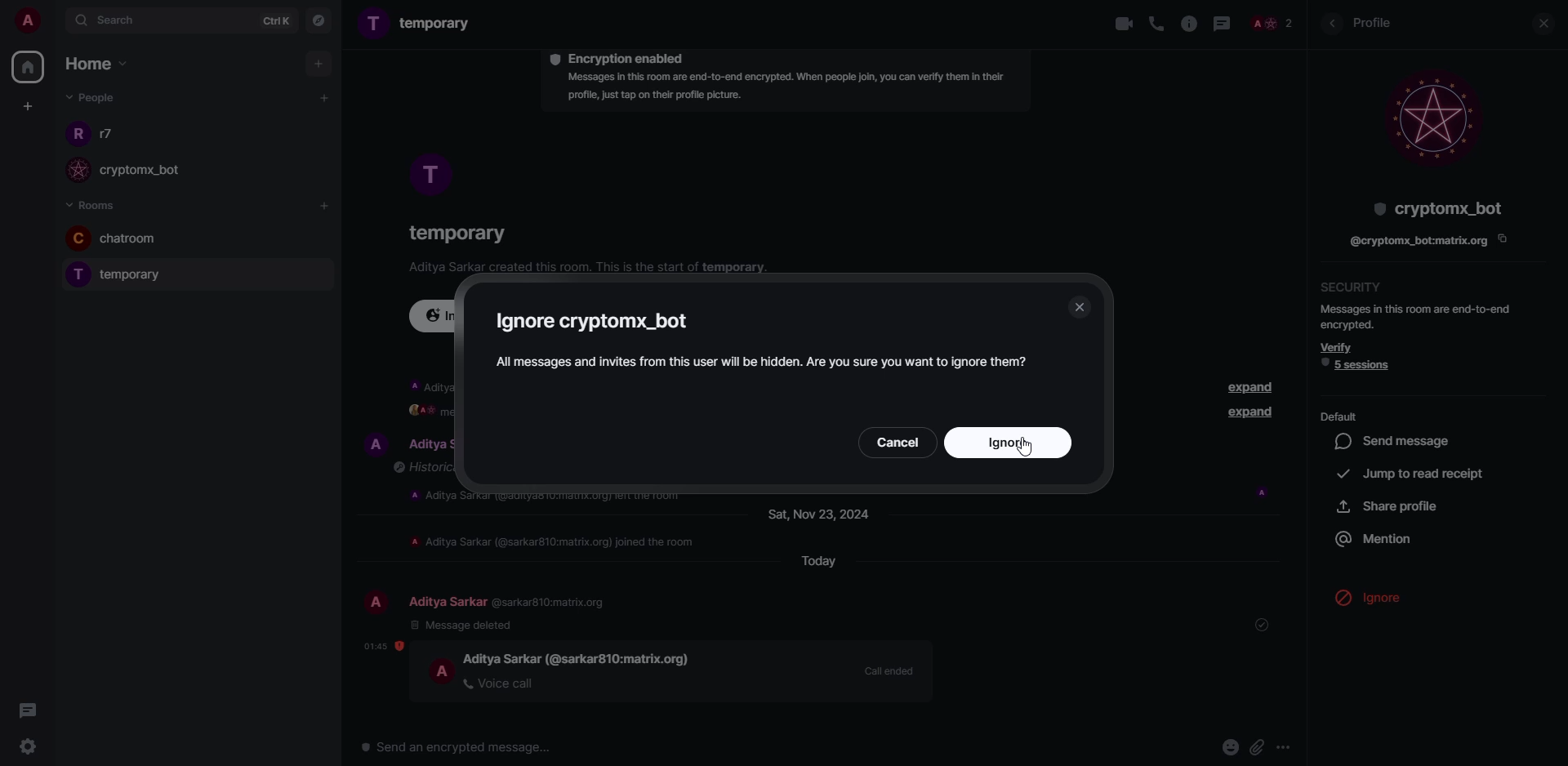  What do you see at coordinates (1263, 492) in the screenshot?
I see `seen` at bounding box center [1263, 492].